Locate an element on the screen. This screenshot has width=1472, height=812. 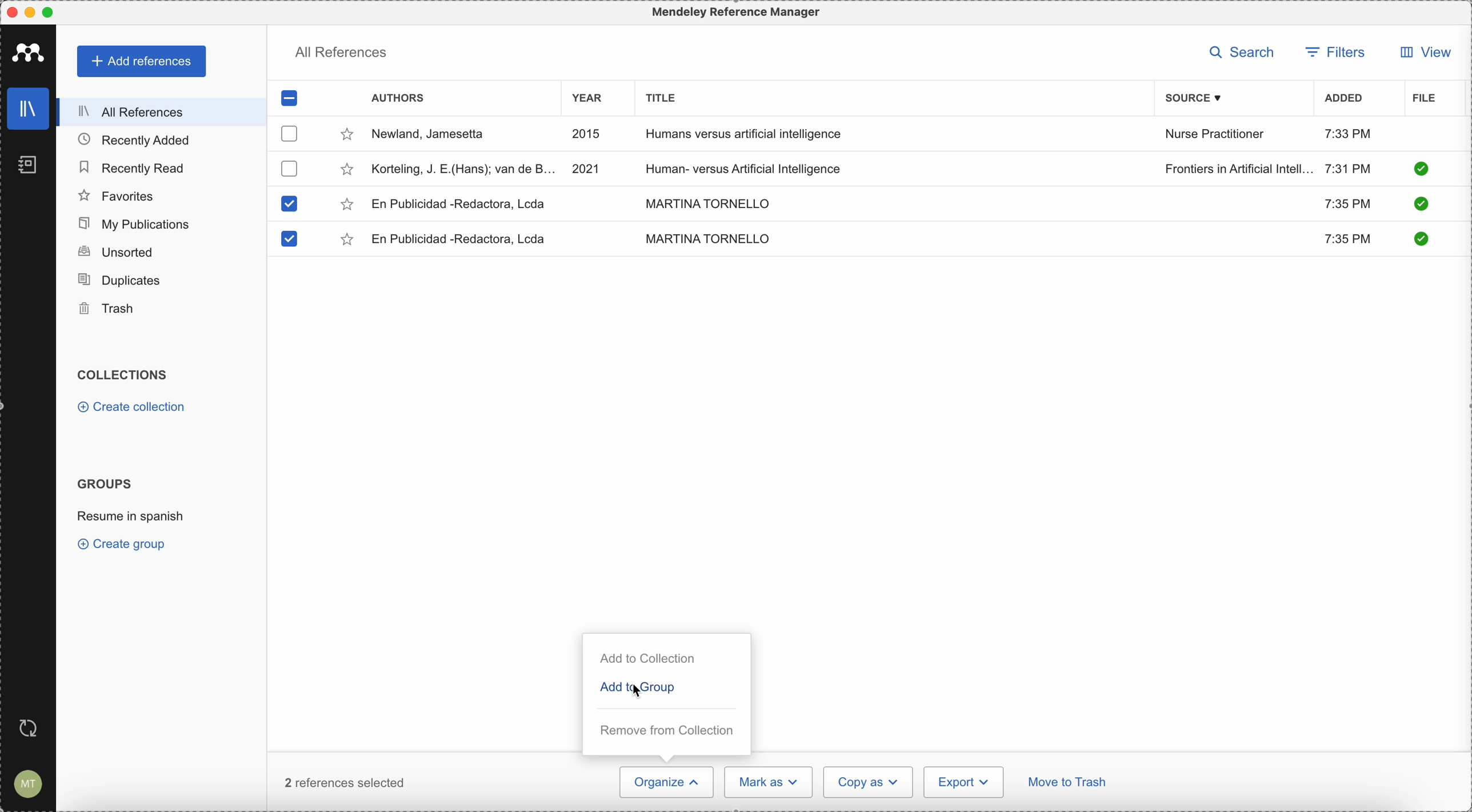
all references is located at coordinates (341, 55).